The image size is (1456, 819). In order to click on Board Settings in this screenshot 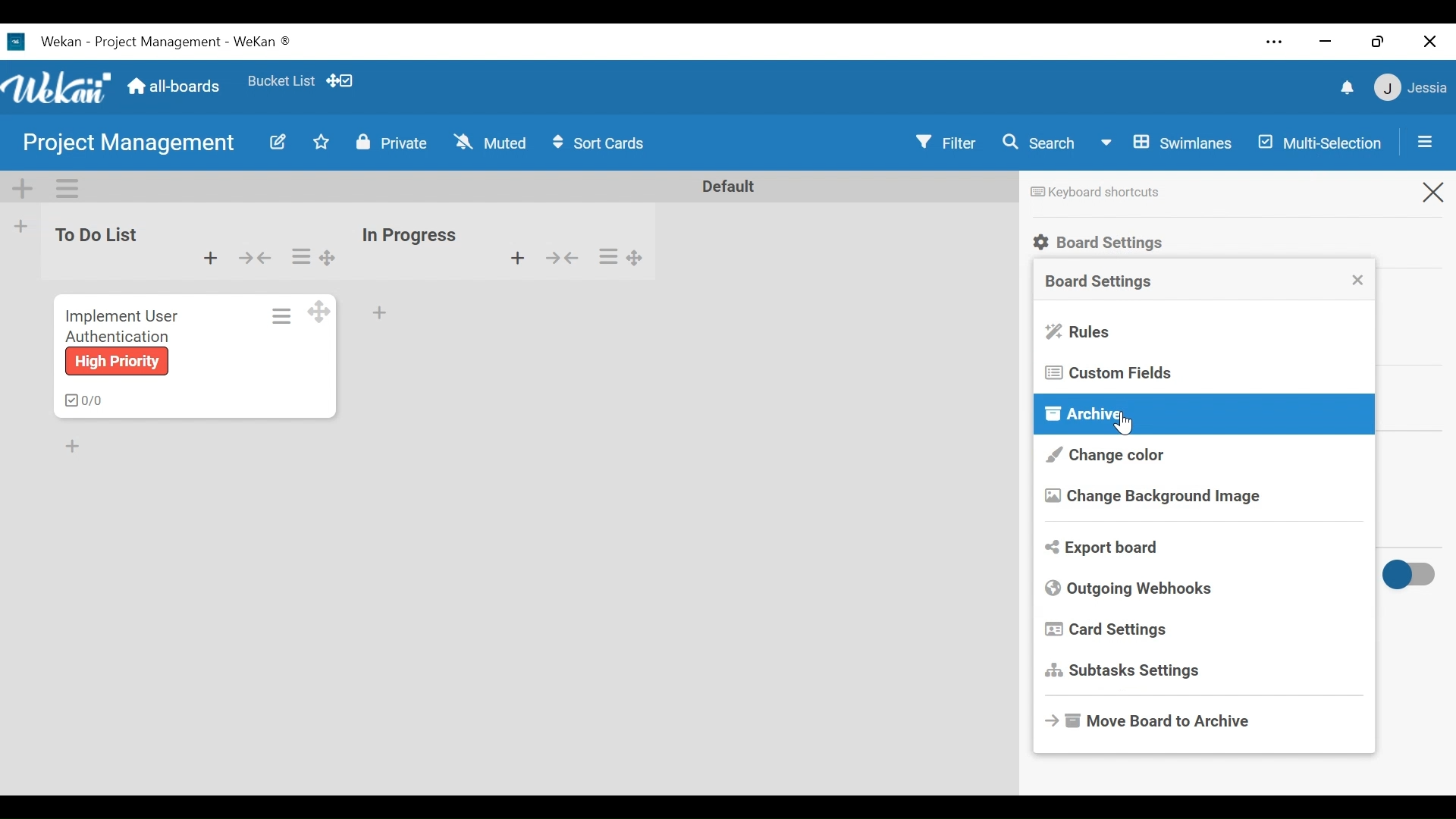, I will do `click(1097, 281)`.